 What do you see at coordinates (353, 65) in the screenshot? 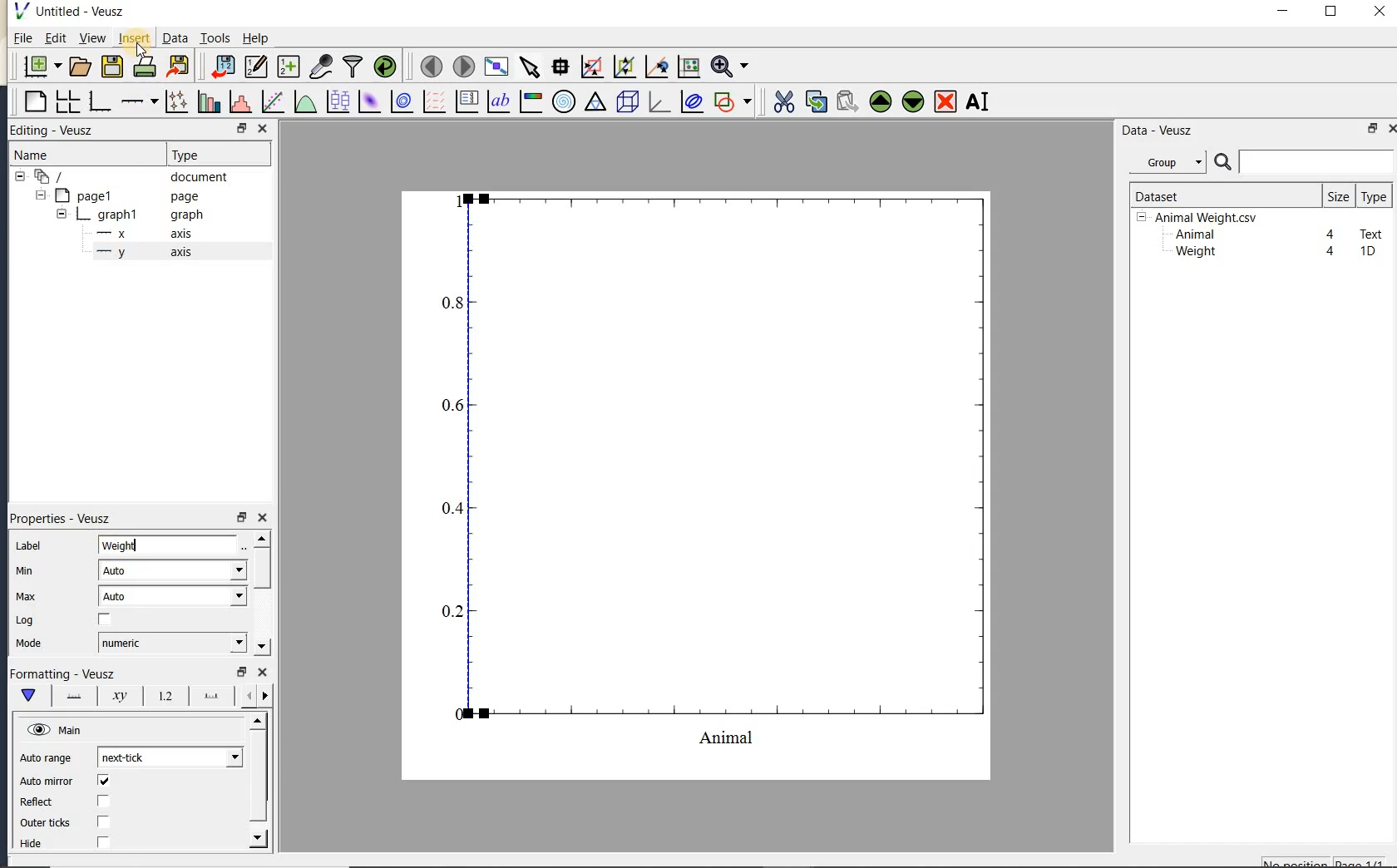
I see `filter data` at bounding box center [353, 65].